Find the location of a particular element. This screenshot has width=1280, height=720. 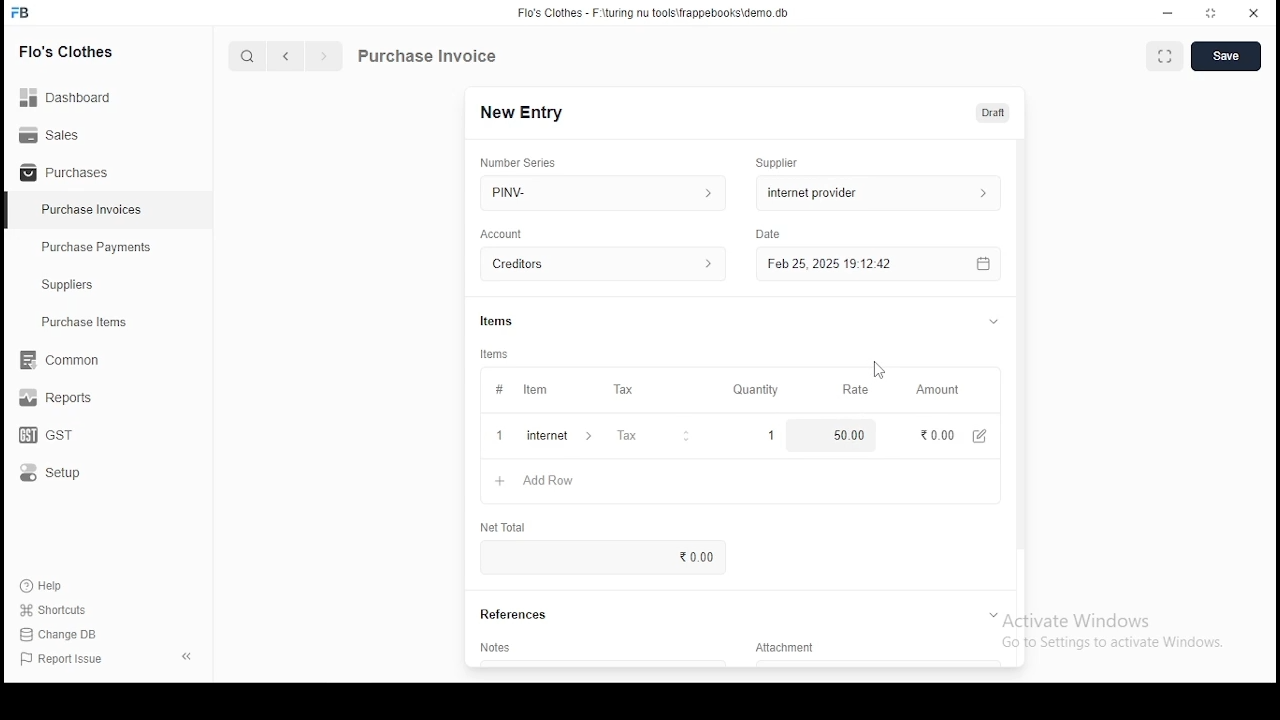

close window is located at coordinates (1254, 11).